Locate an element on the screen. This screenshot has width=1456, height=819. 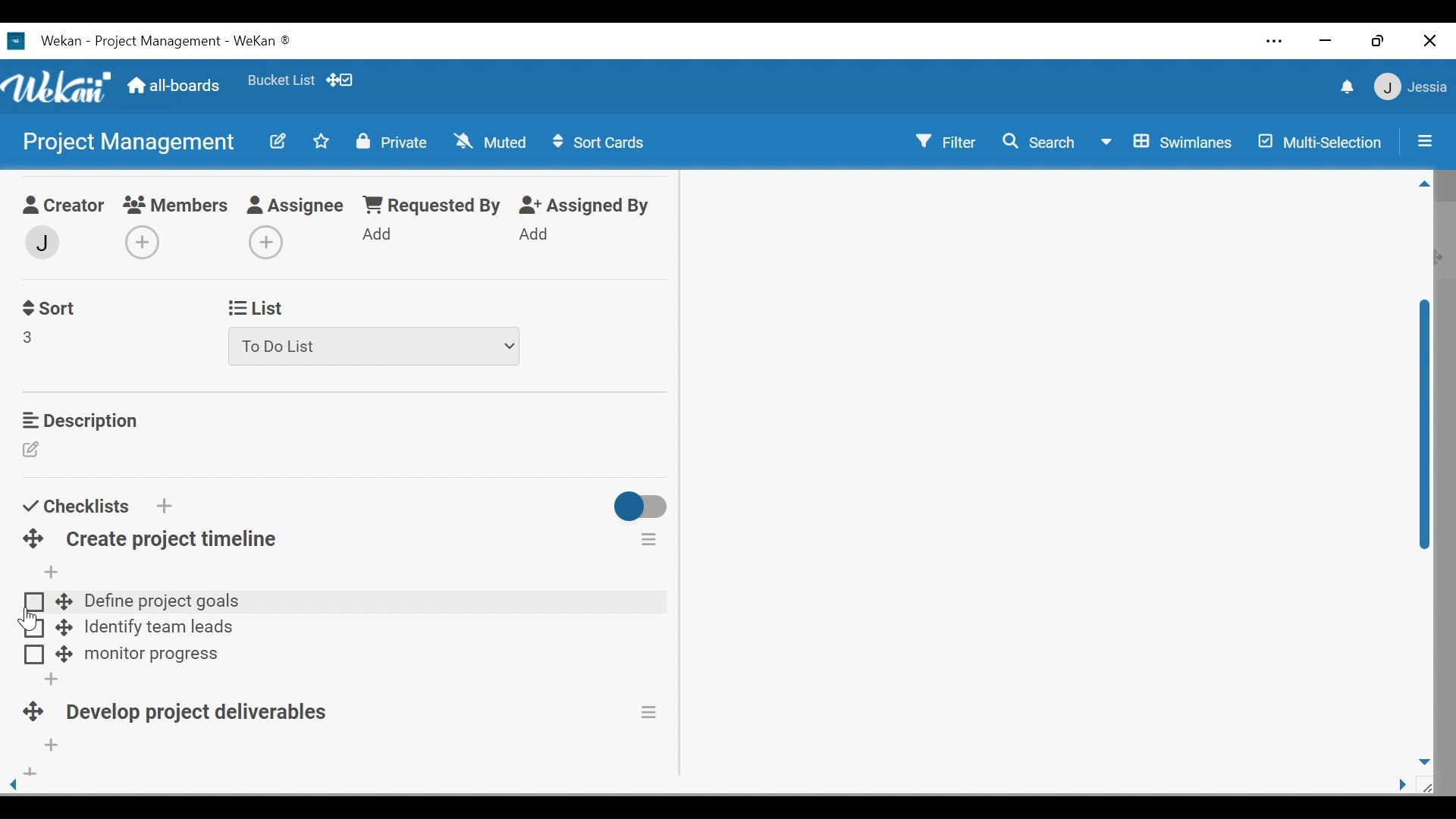
Filter is located at coordinates (946, 140).